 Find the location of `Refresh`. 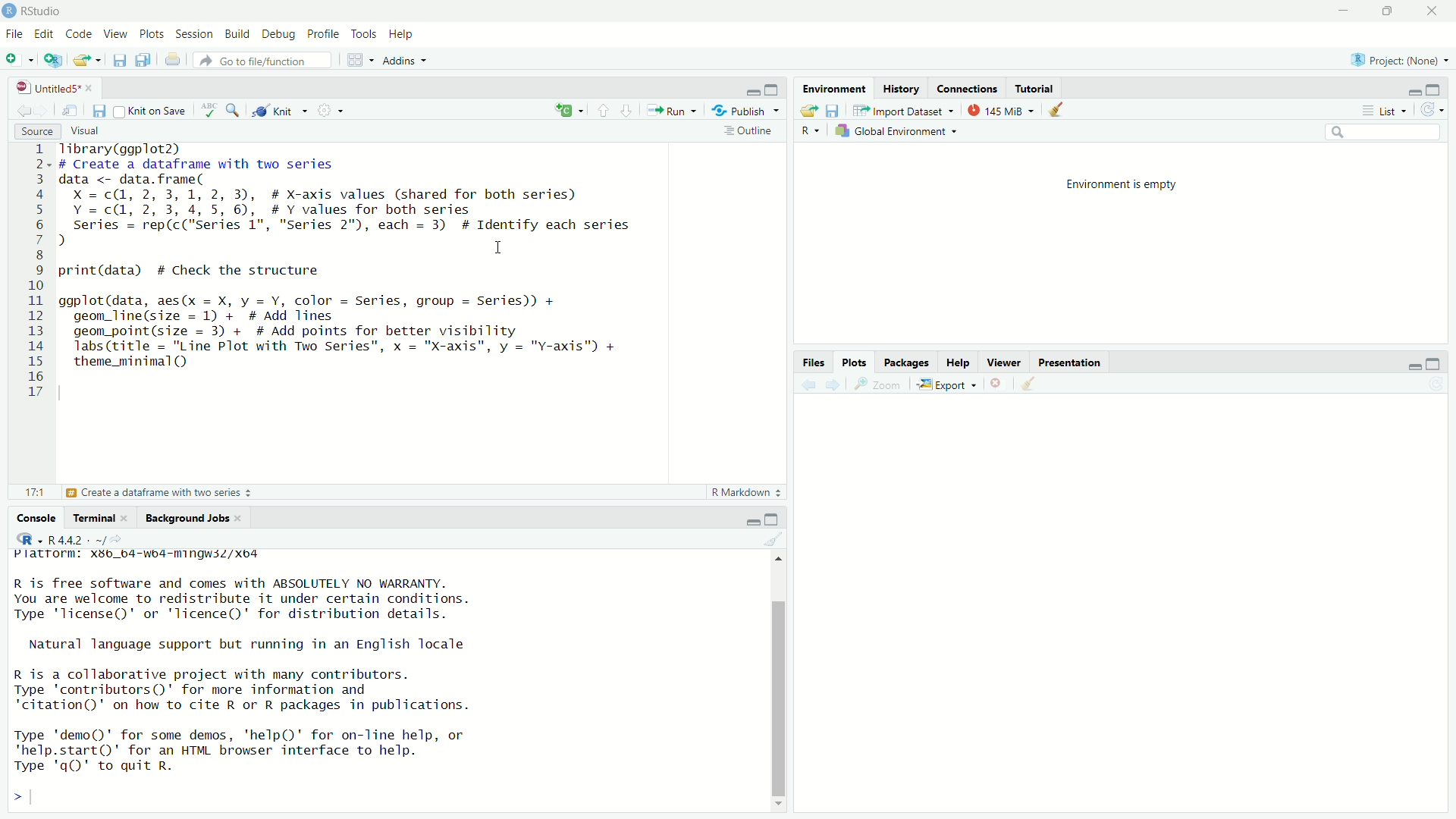

Refresh is located at coordinates (1435, 386).